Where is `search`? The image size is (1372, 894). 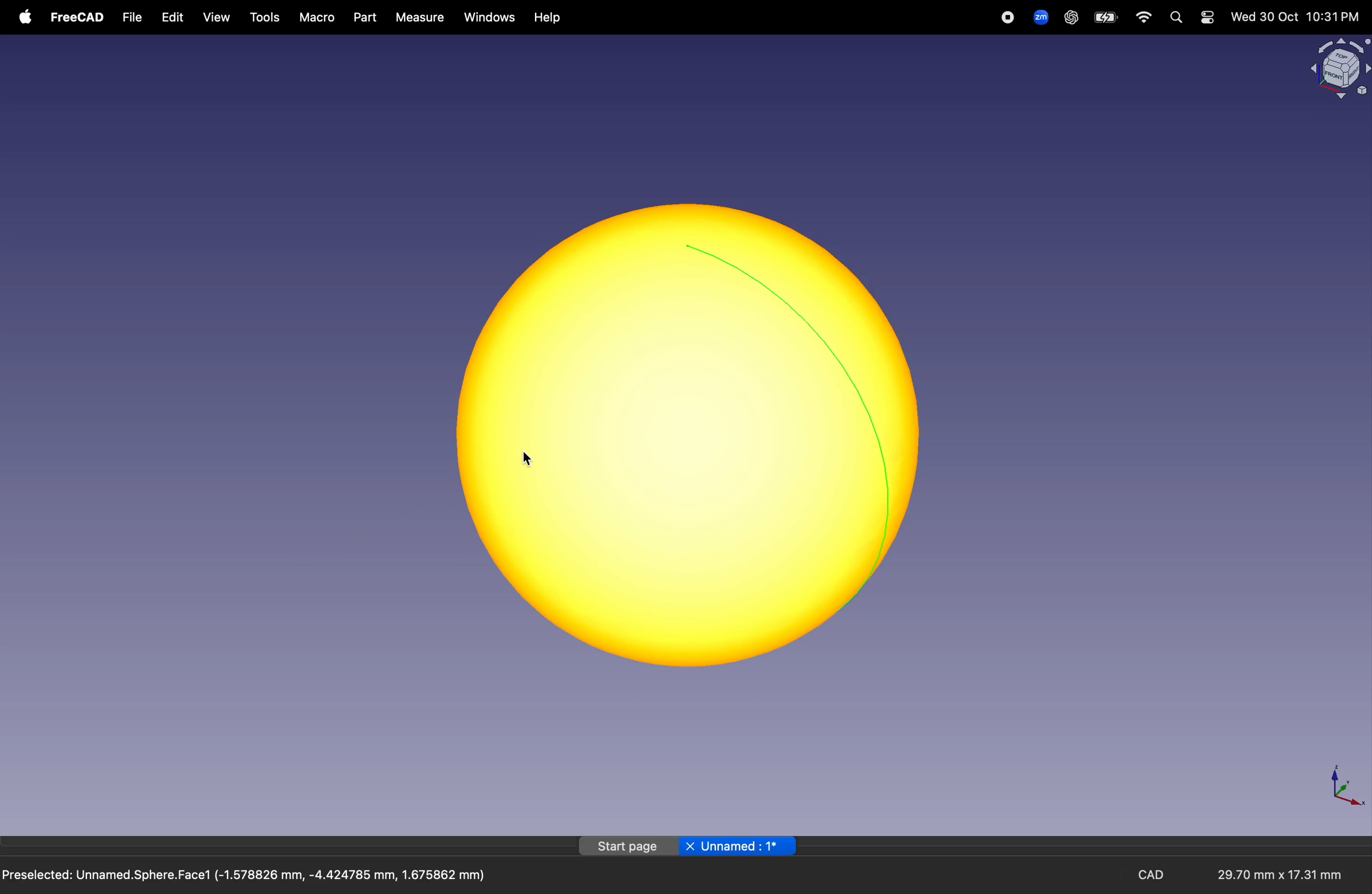
search is located at coordinates (1175, 17).